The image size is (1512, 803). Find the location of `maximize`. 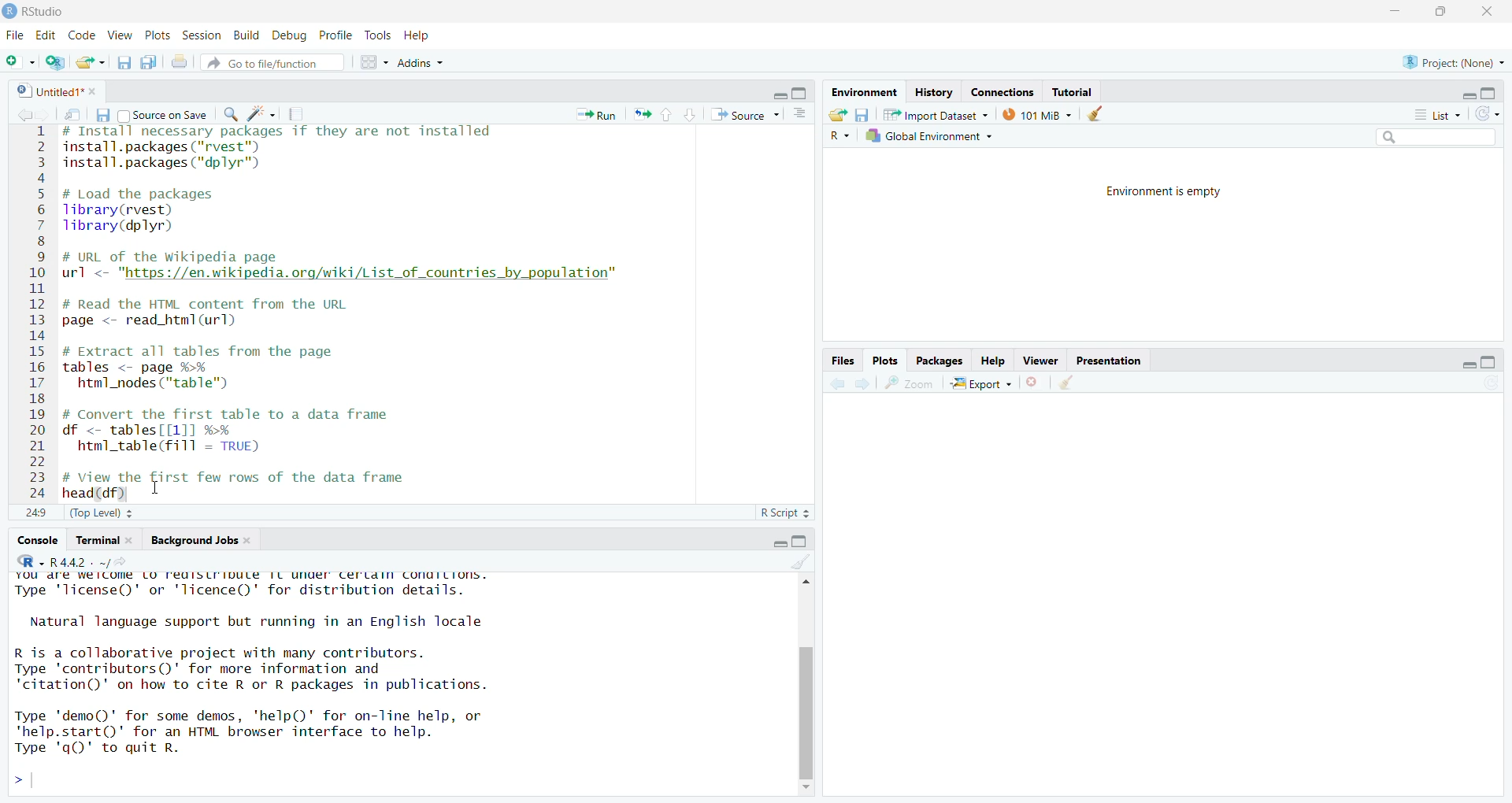

maximize is located at coordinates (799, 92).